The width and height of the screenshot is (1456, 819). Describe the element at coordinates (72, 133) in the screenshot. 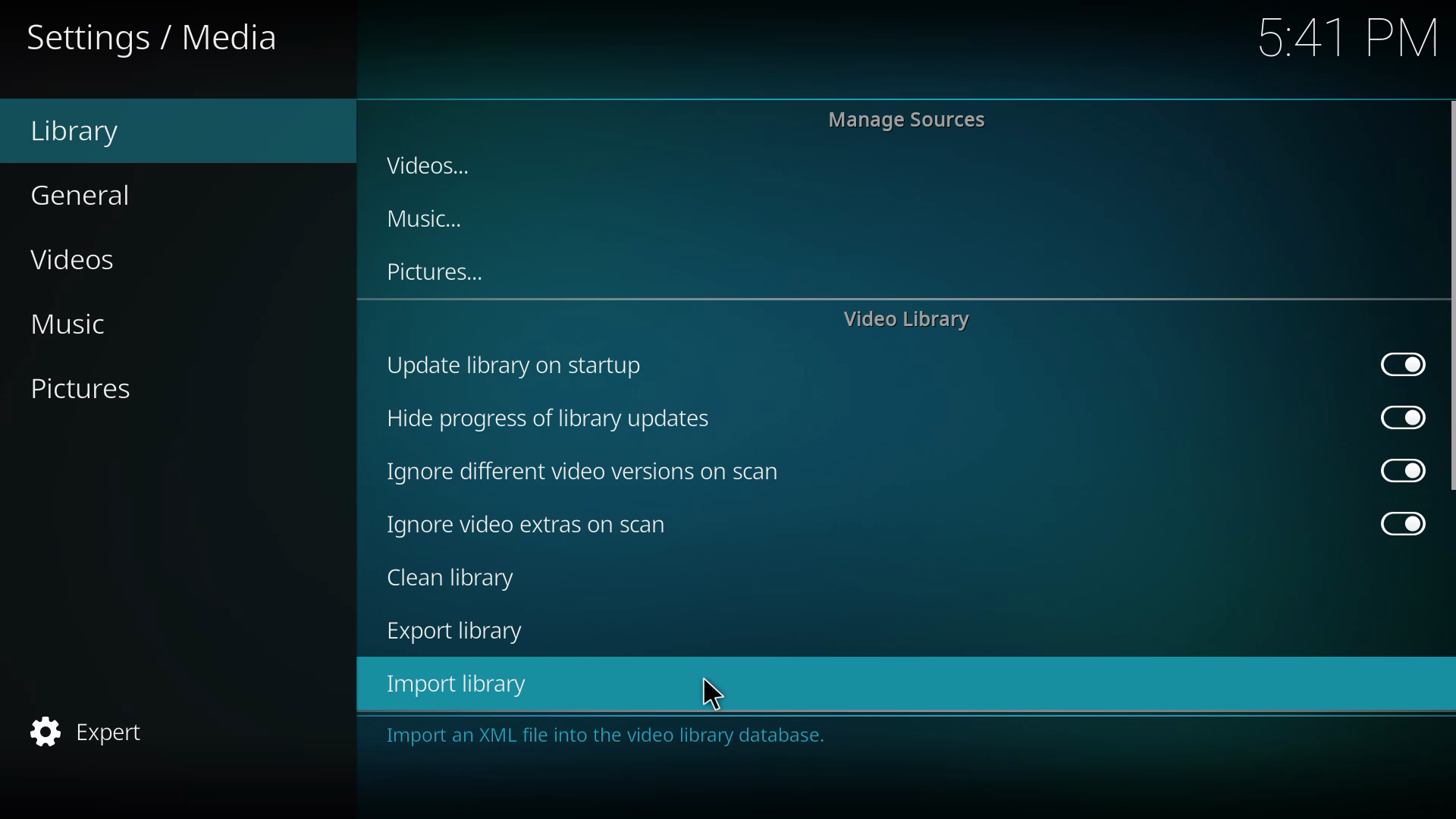

I see `library` at that location.